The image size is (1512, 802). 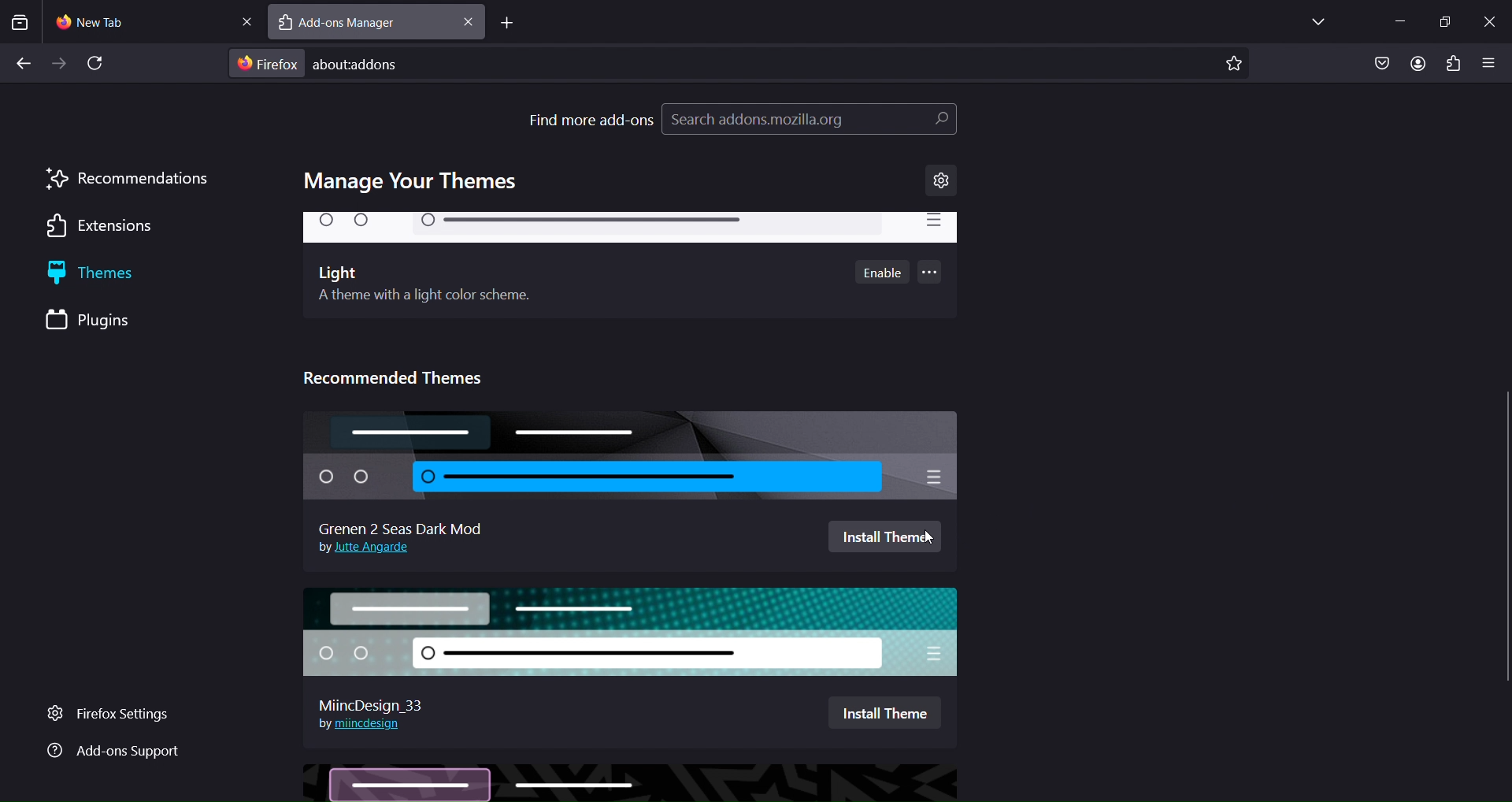 I want to click on about:addons, so click(x=384, y=65).